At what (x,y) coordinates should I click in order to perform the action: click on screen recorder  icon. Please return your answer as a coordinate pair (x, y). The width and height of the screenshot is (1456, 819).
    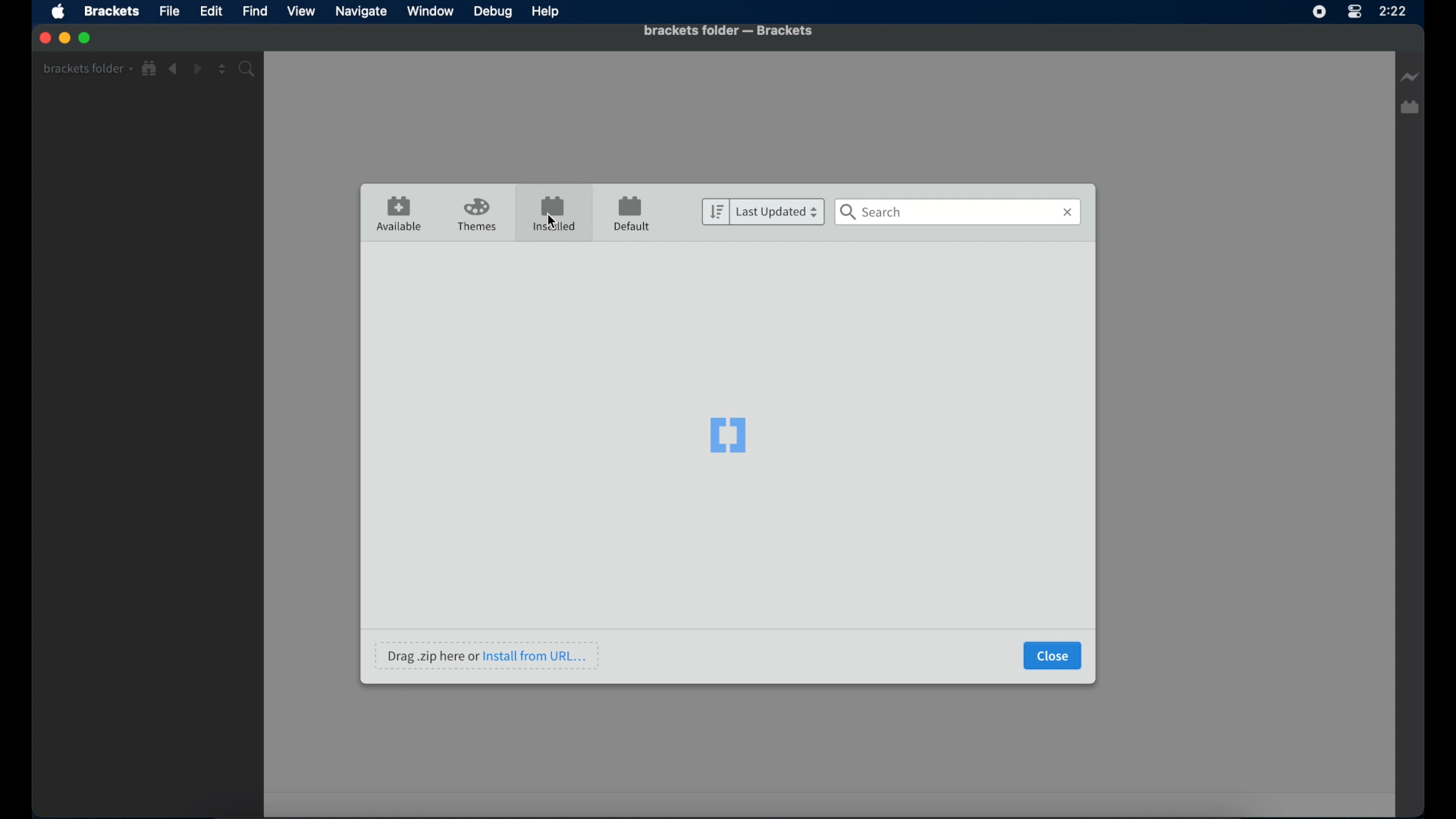
    Looking at the image, I should click on (1319, 12).